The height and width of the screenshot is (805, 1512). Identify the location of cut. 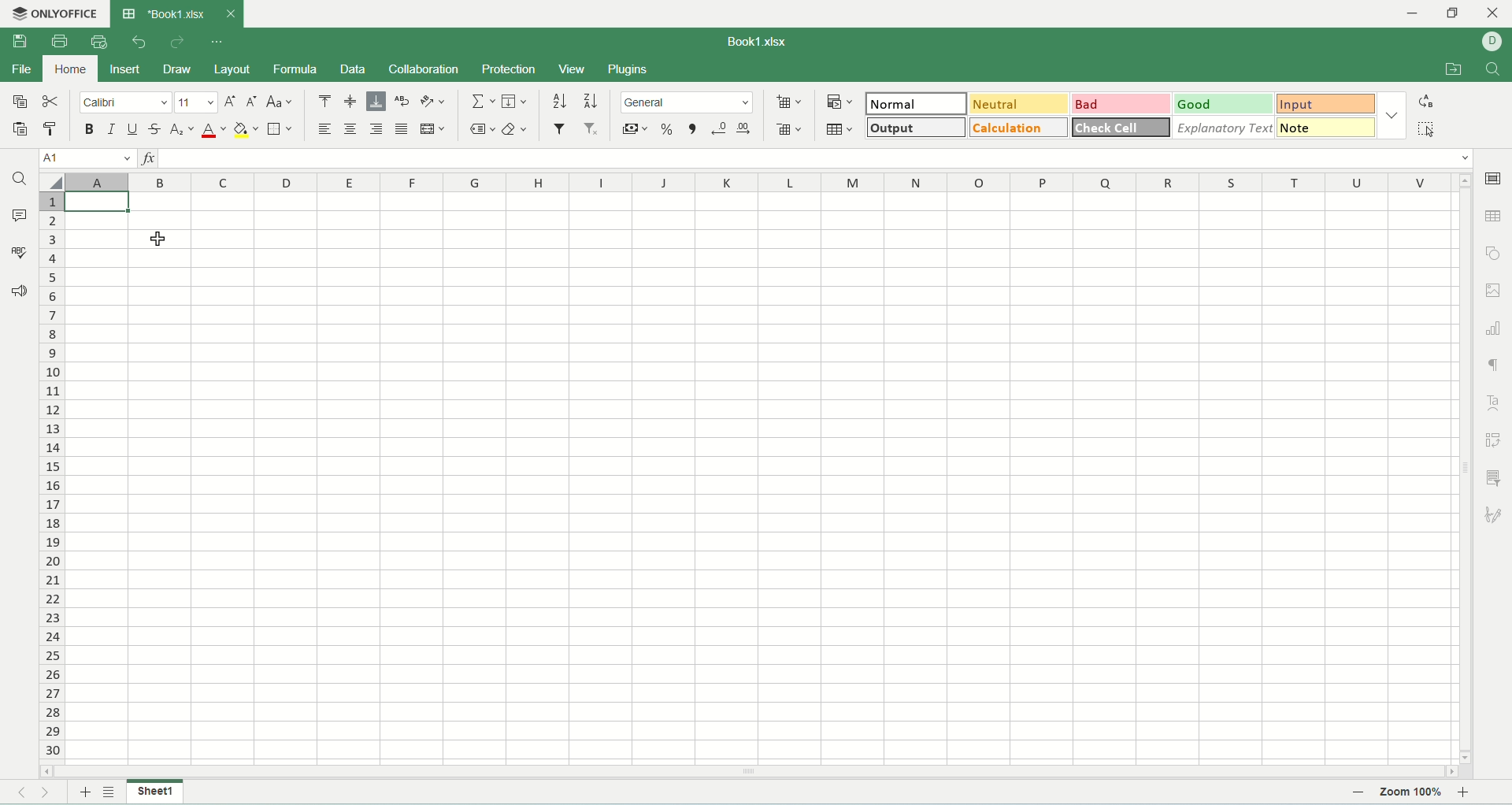
(50, 101).